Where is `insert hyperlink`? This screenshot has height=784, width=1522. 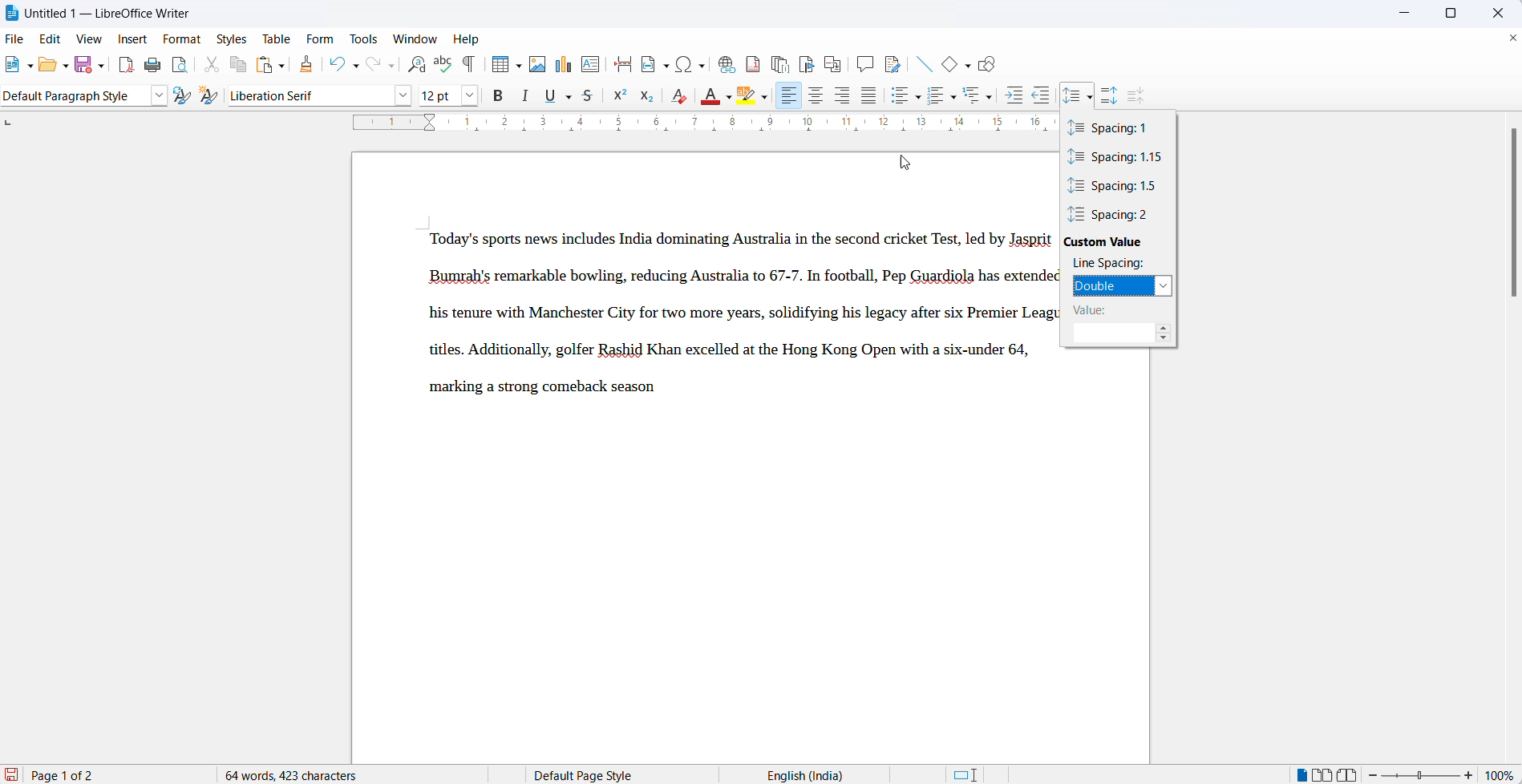
insert hyperlink is located at coordinates (689, 64).